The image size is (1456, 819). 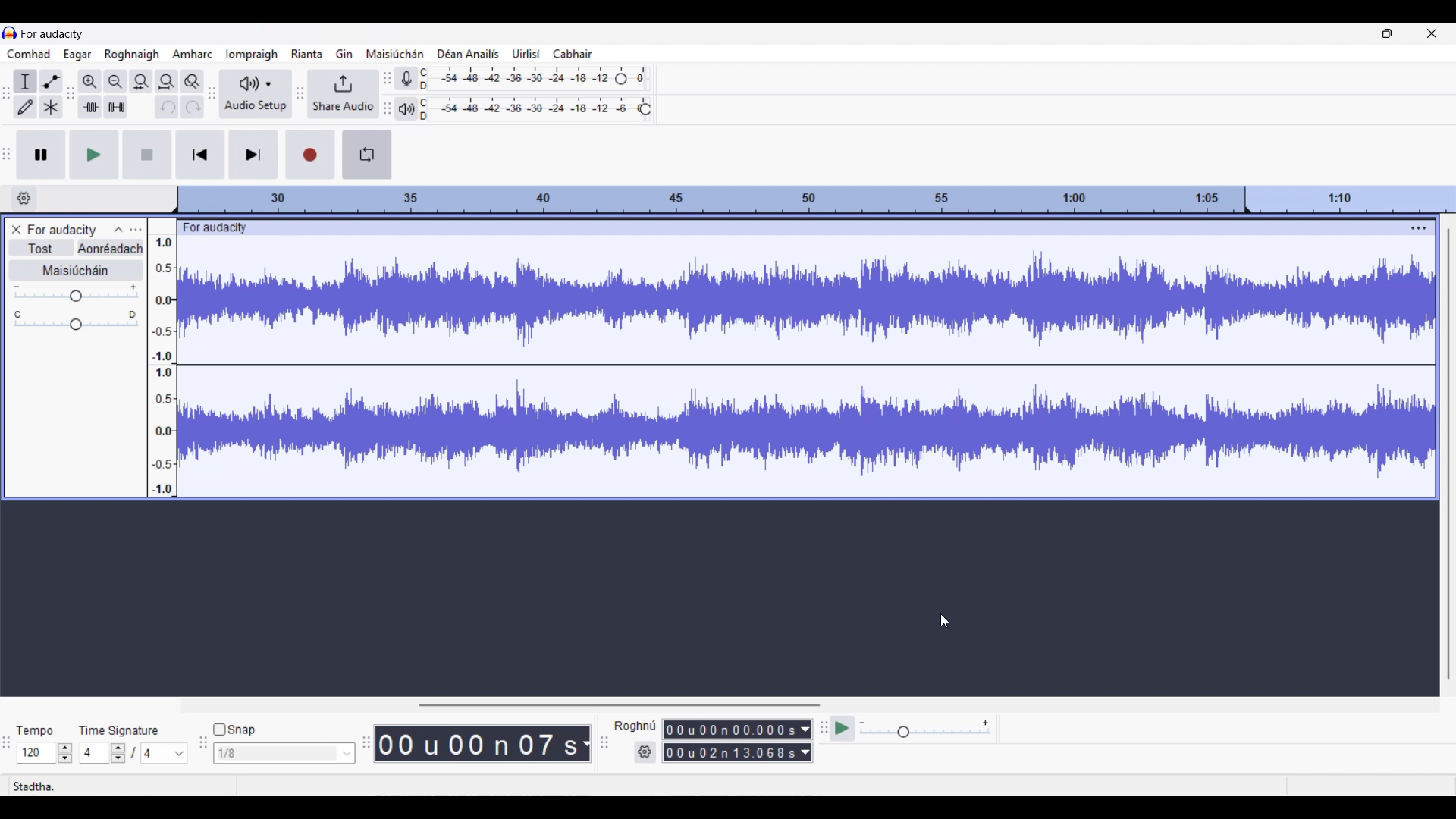 I want to click on Recording level header, so click(x=621, y=79).